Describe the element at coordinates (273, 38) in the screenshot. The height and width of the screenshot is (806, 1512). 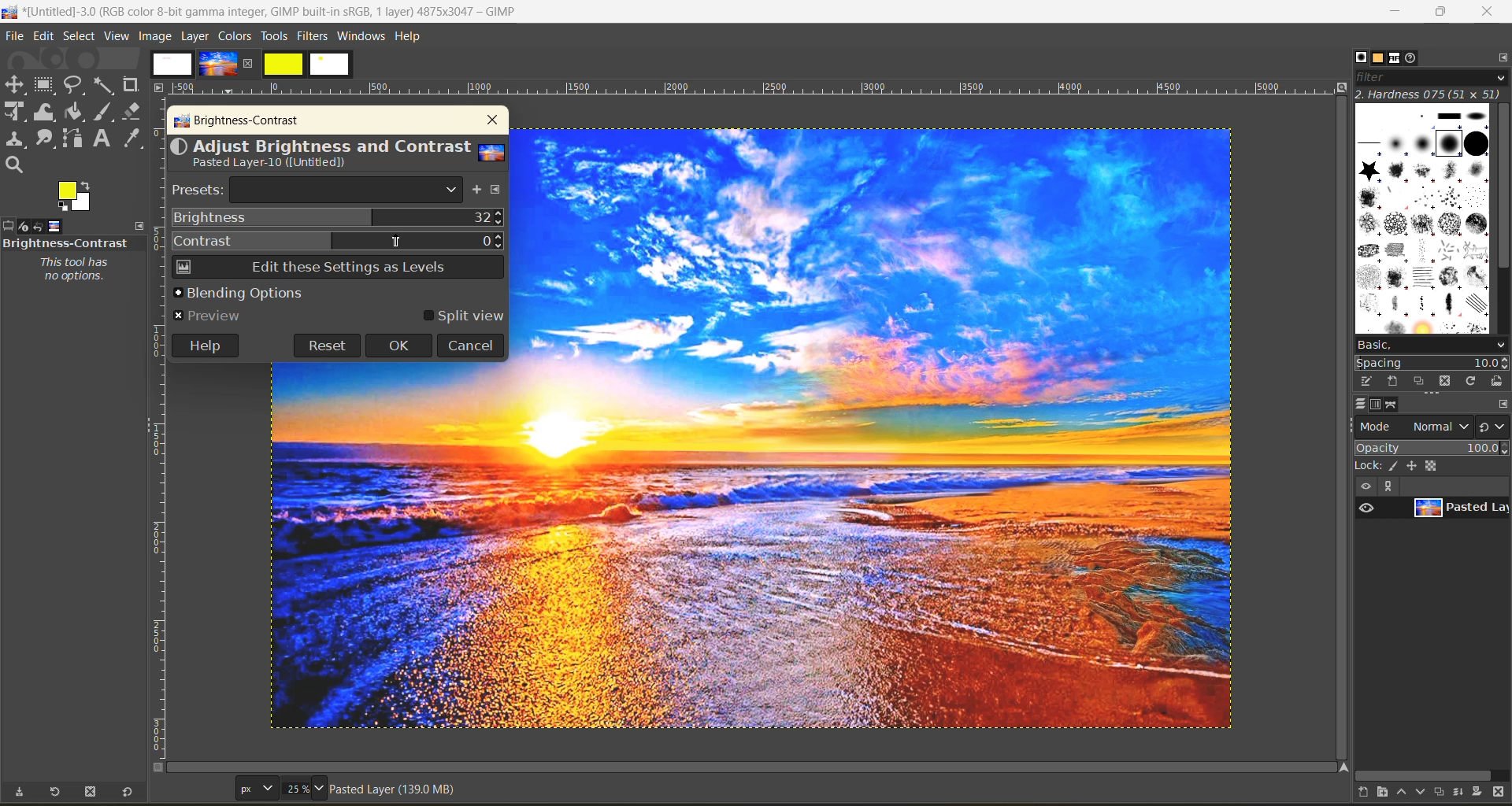
I see `tools` at that location.